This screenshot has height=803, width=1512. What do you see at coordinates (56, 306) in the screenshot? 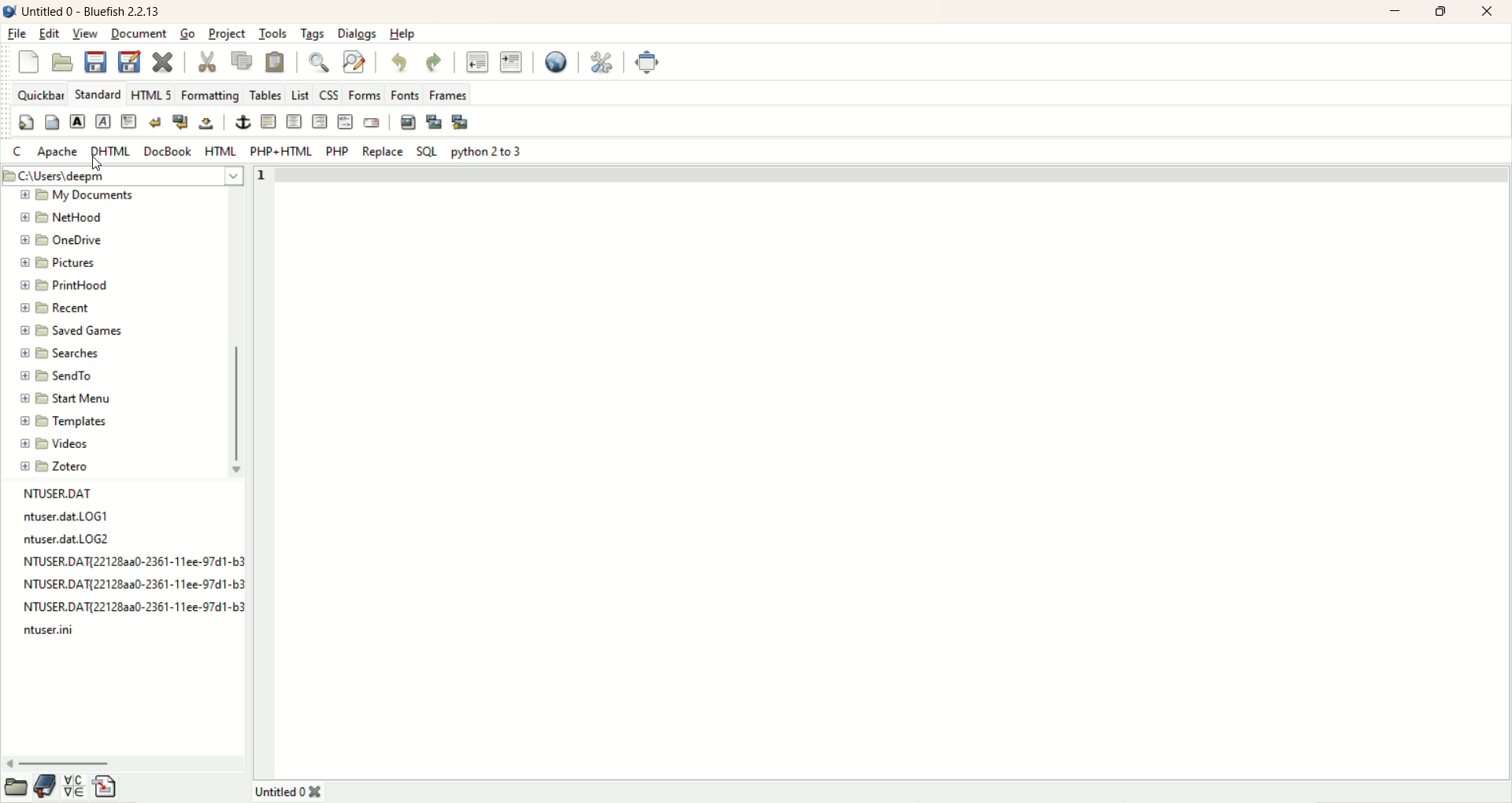
I see `recent` at bounding box center [56, 306].